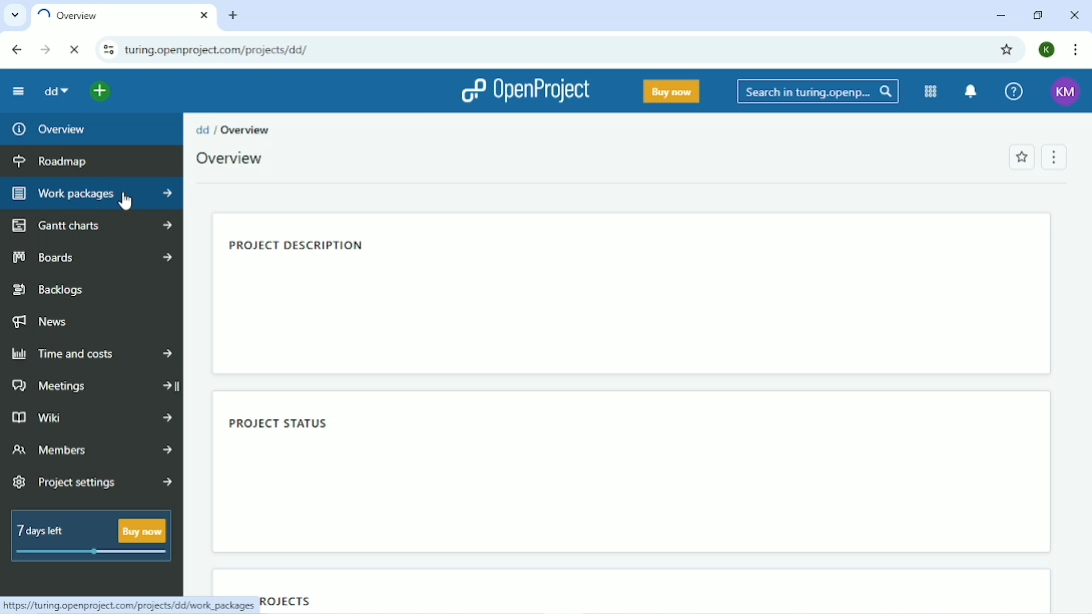  What do you see at coordinates (816, 92) in the screenshot?
I see `Search` at bounding box center [816, 92].